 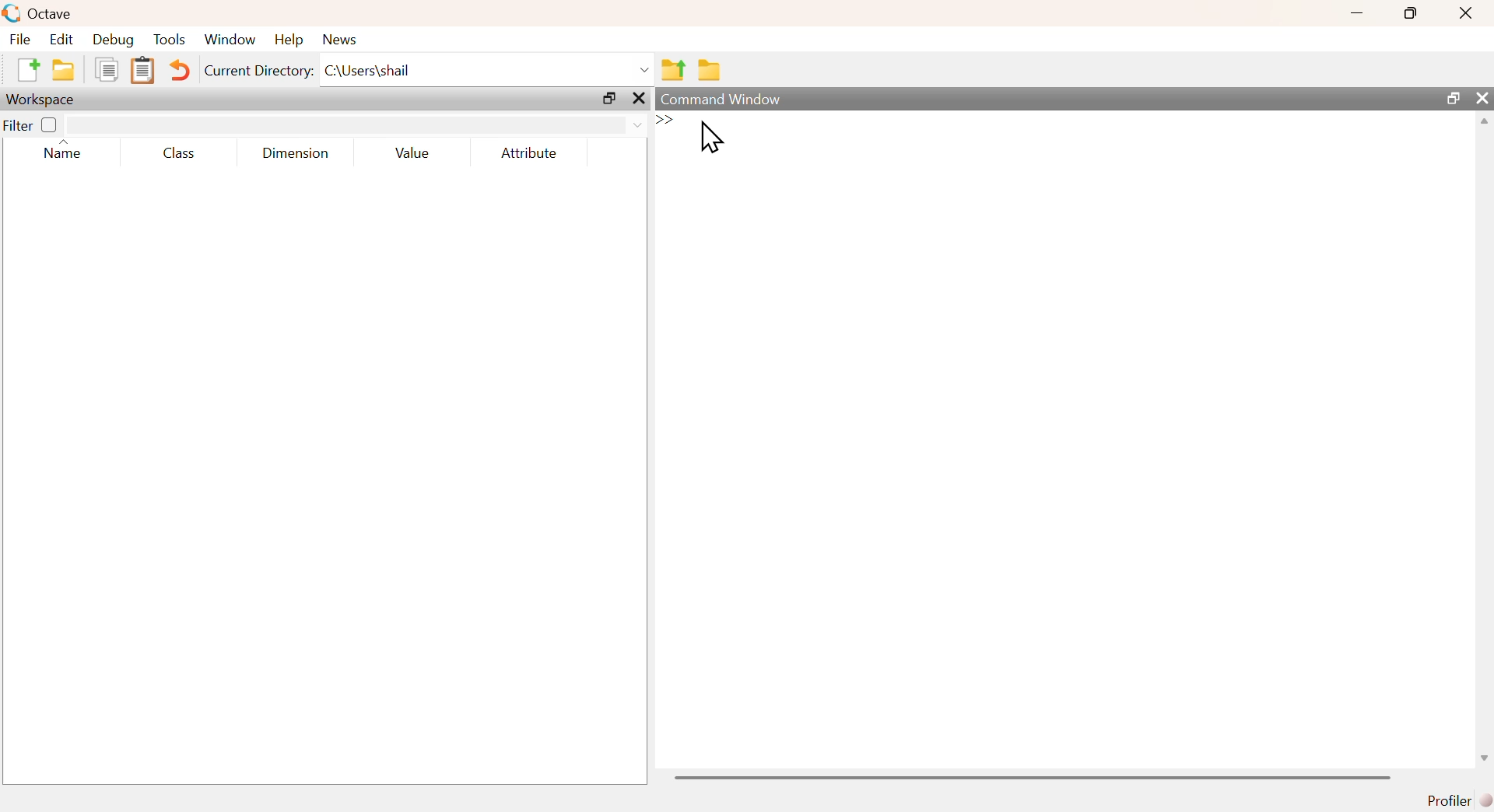 I want to click on Tools, so click(x=170, y=39).